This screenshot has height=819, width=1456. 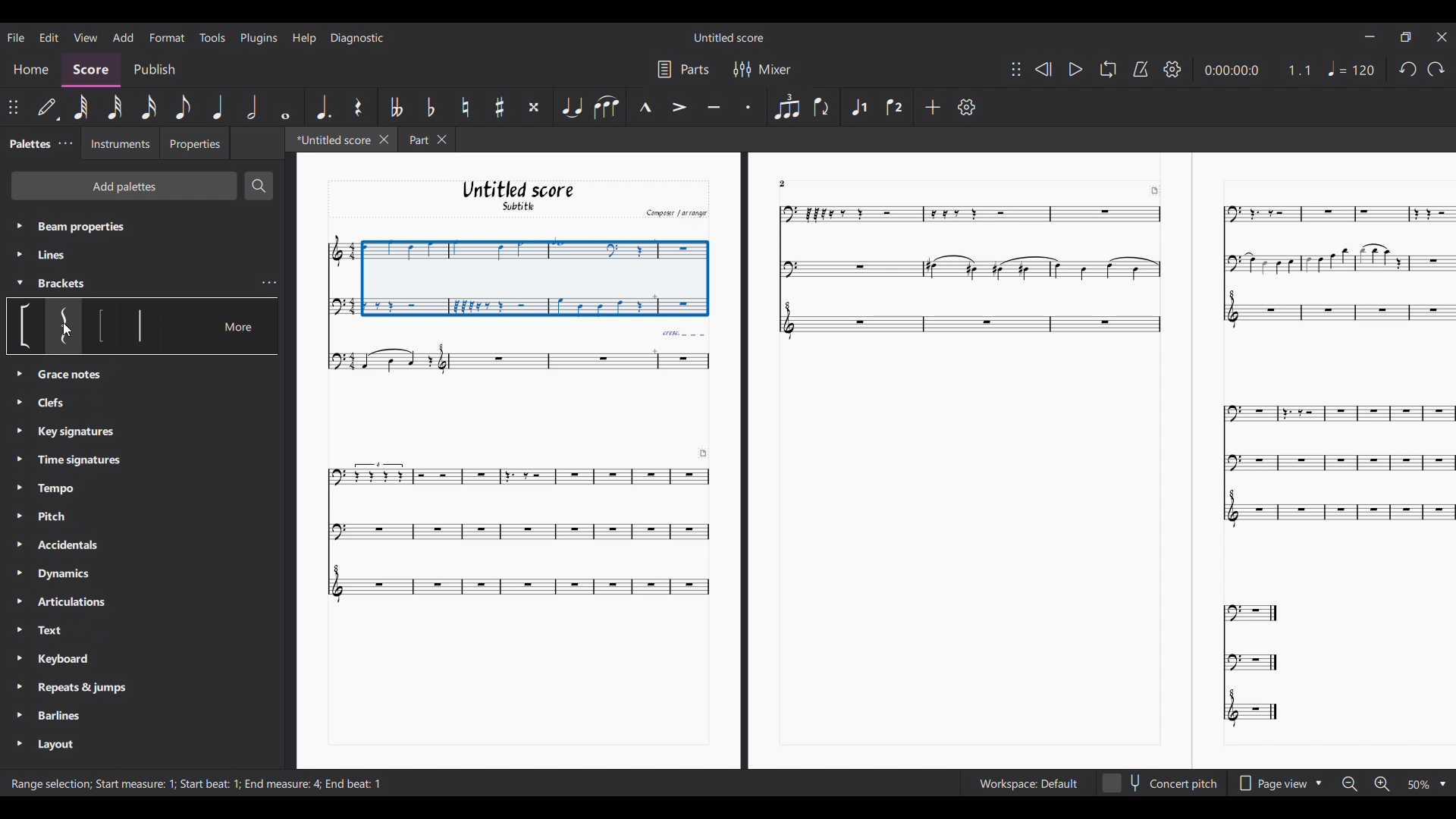 What do you see at coordinates (140, 325) in the screenshot?
I see `Option under bracket section` at bounding box center [140, 325].